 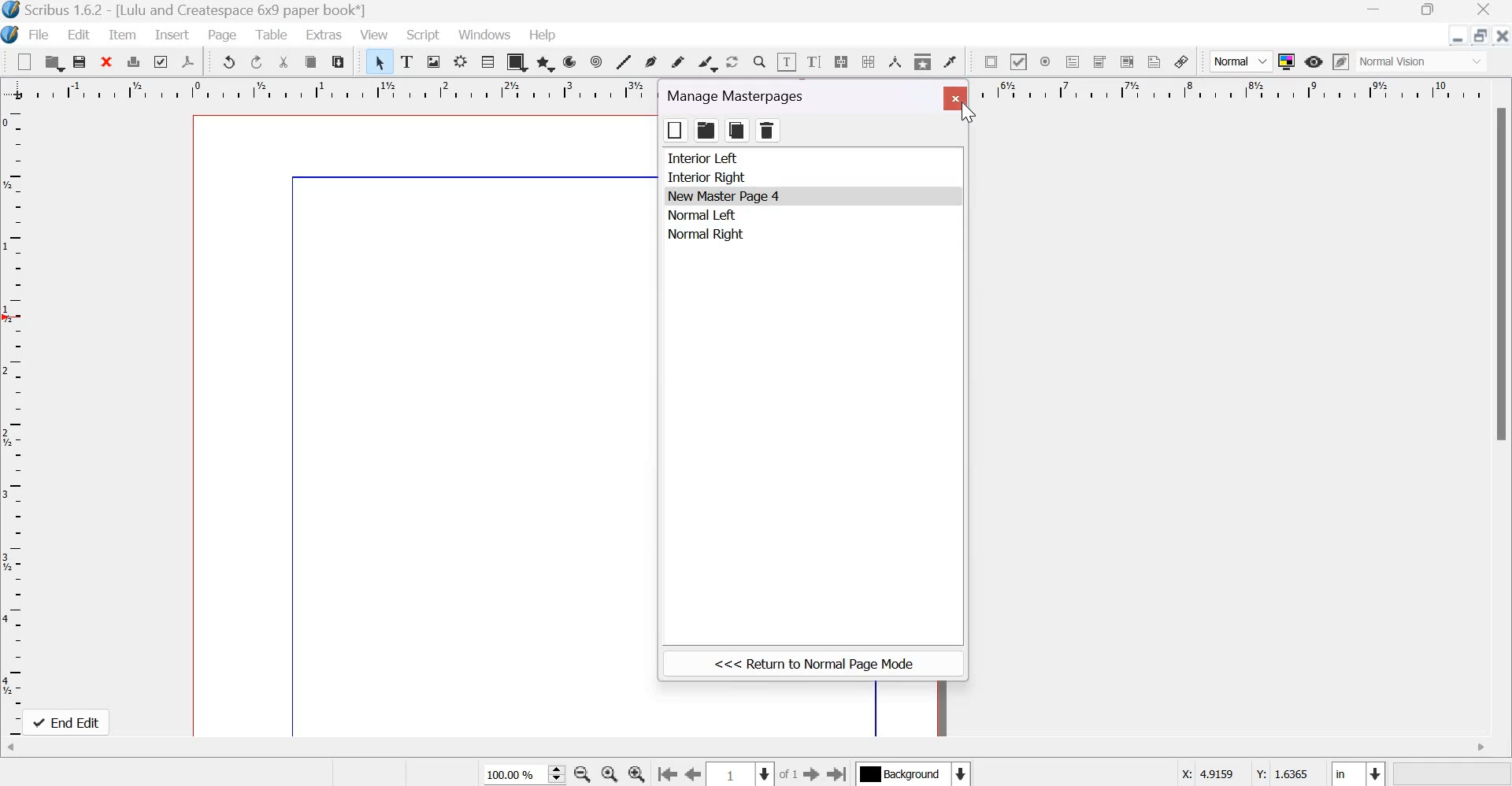 What do you see at coordinates (732, 61) in the screenshot?
I see `Rotate item` at bounding box center [732, 61].